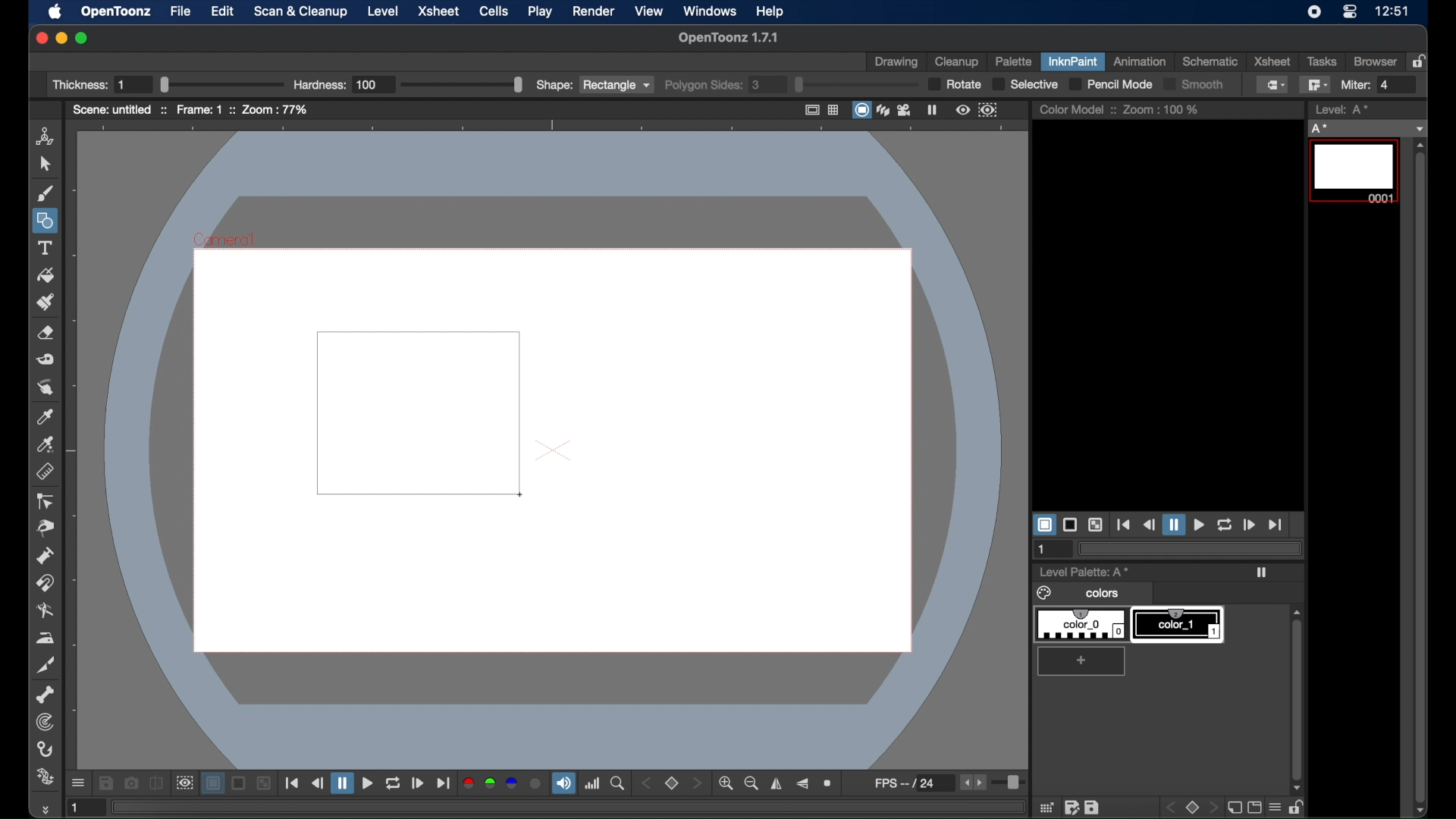  I want to click on blue channel, so click(511, 783).